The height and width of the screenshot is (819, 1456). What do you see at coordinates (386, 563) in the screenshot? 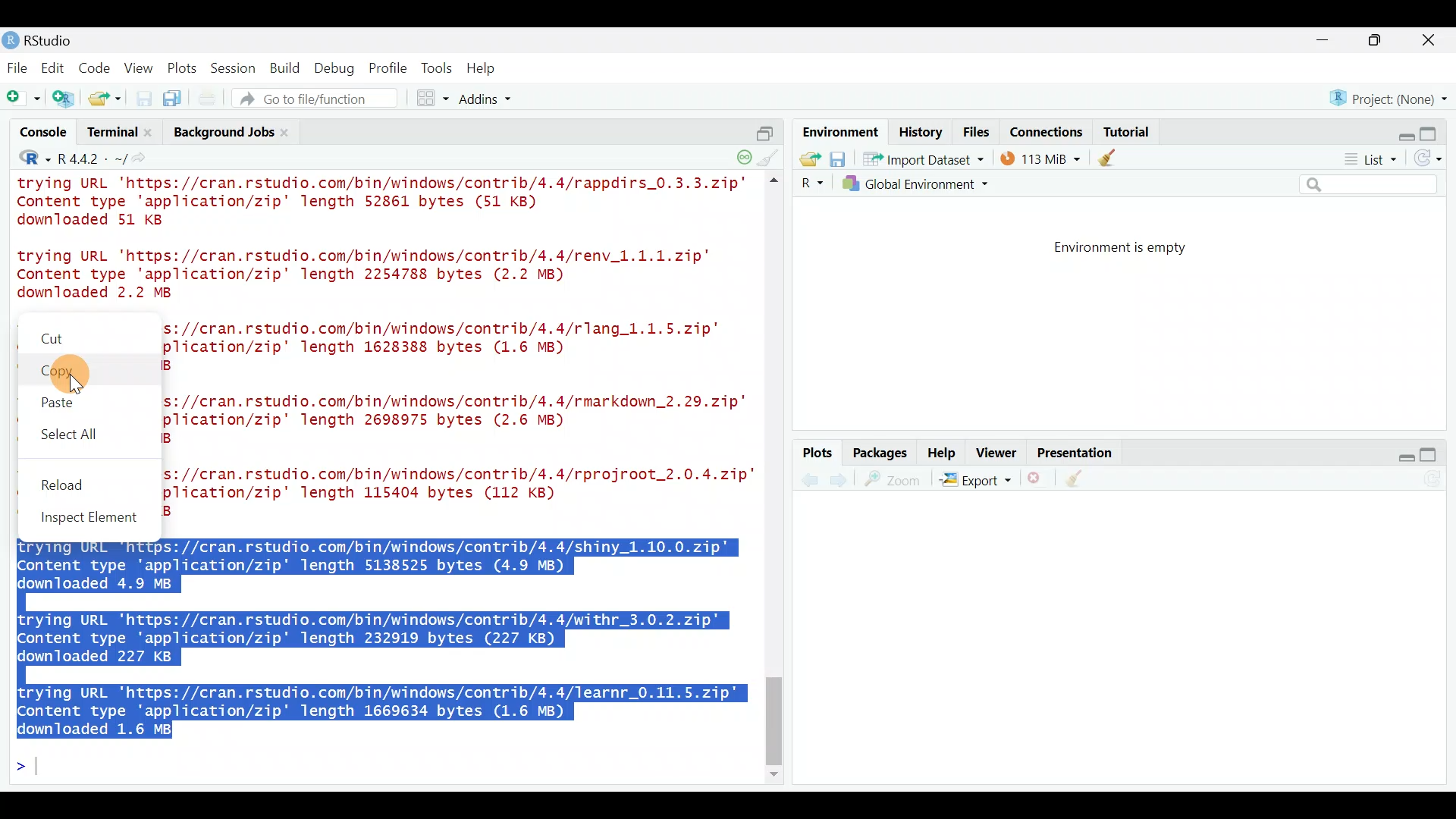
I see `trying URL 'https://cran.rstudio.com/bin/windows/contrib/4.4/shiny_1.10.0.zip"
Content type 'application/zip' length 5138525 bytes (4.9 MB)
downloaded 4.9 MB` at bounding box center [386, 563].